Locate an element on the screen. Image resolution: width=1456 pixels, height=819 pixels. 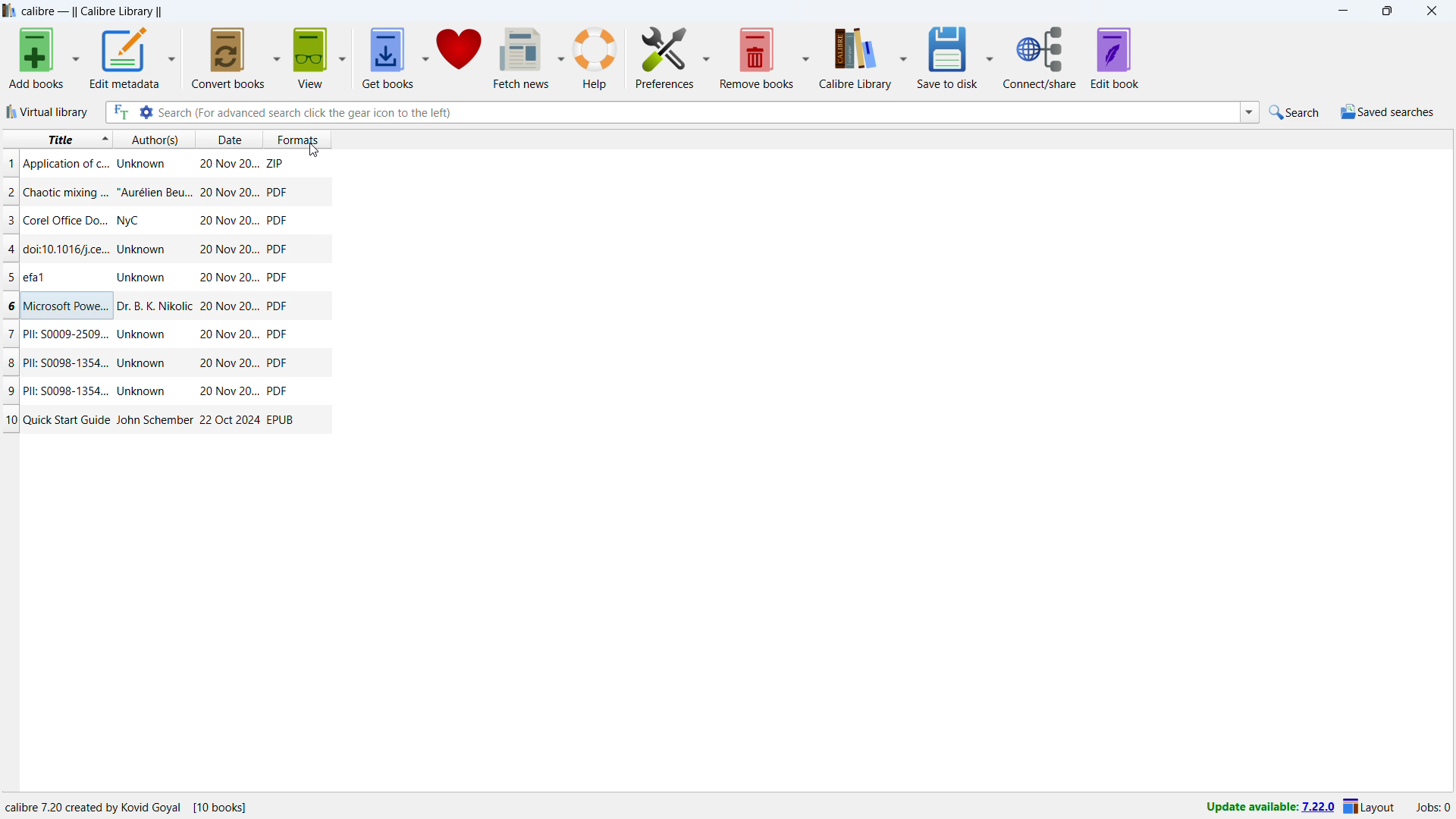
minimize is located at coordinates (1341, 11).